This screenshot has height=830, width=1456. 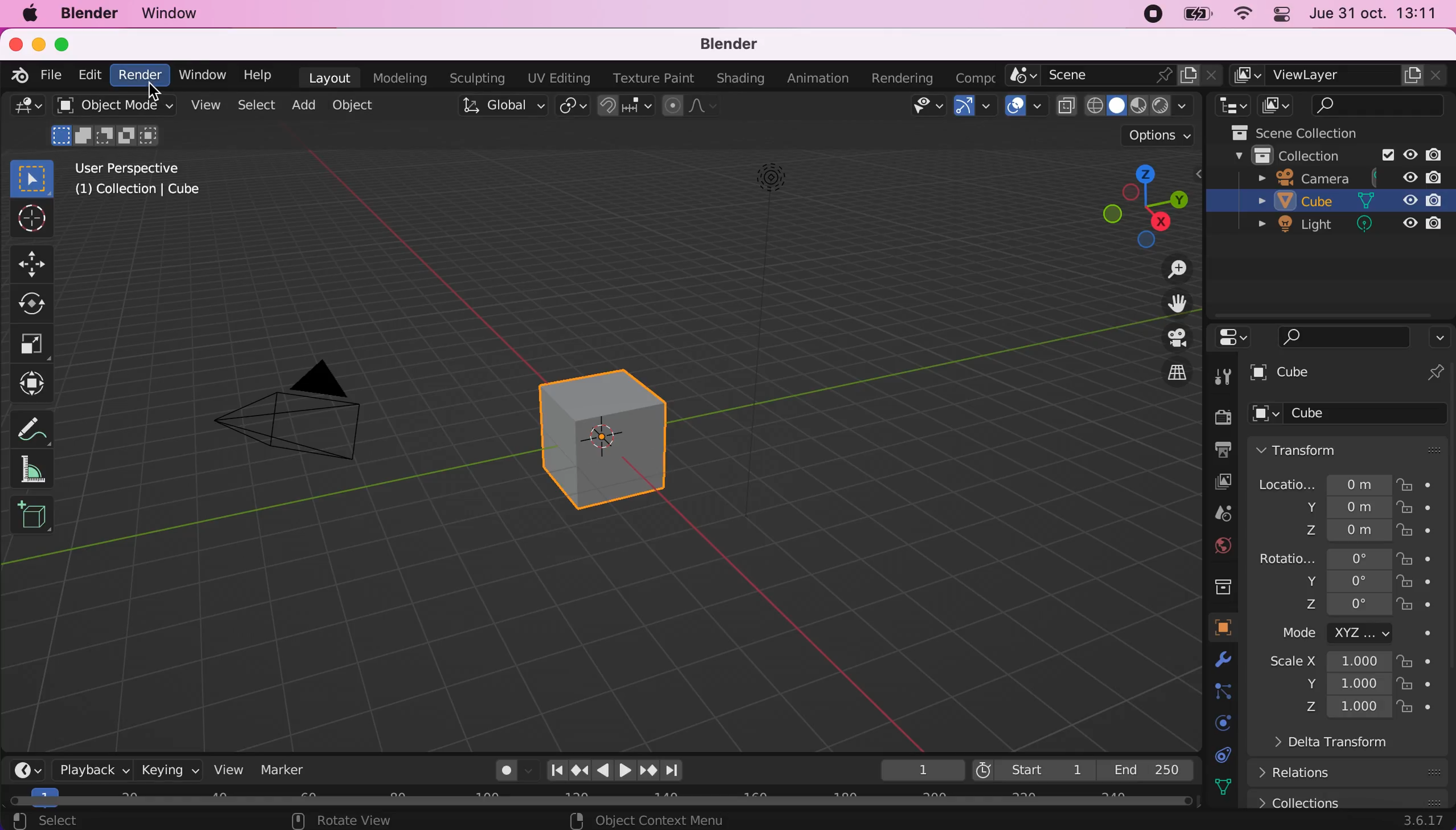 What do you see at coordinates (701, 107) in the screenshot?
I see `proportional editing` at bounding box center [701, 107].